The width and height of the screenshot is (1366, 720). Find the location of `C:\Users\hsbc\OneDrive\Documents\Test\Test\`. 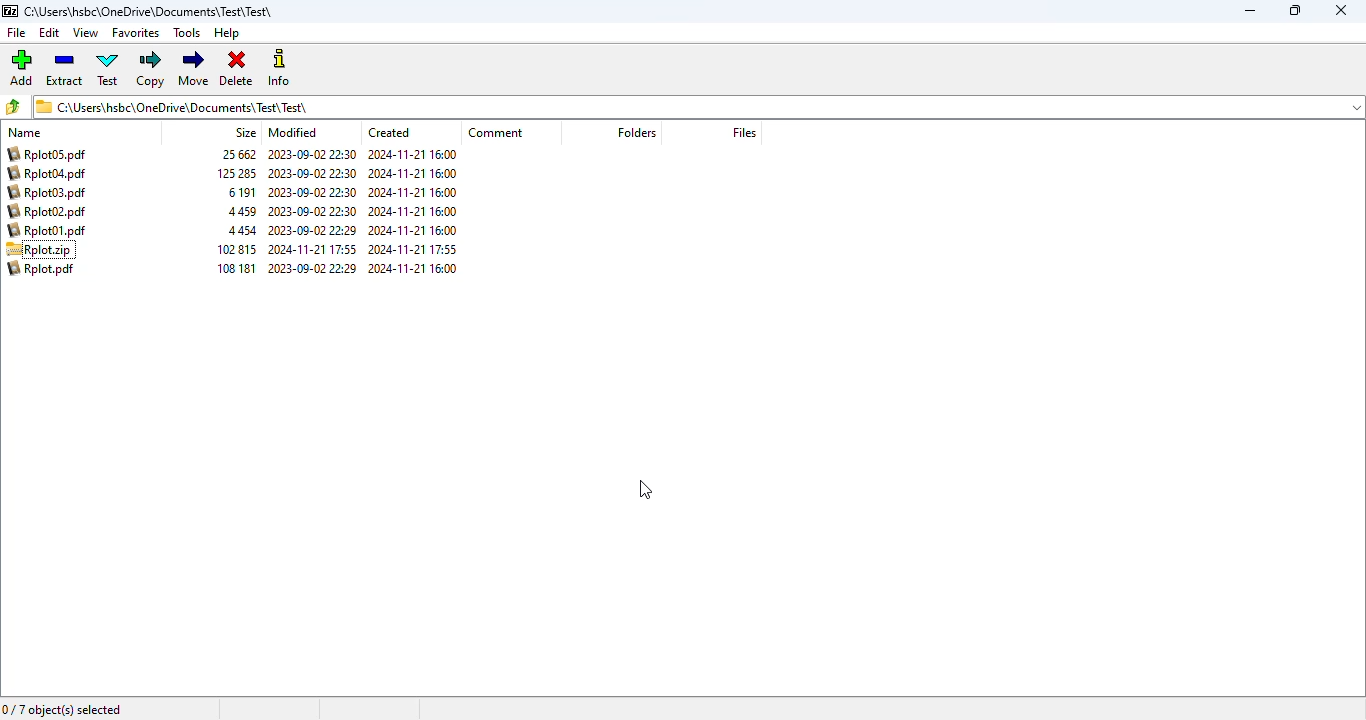

C:\Users\hsbc\OneDrive\Documents\Test\Test\ is located at coordinates (150, 12).